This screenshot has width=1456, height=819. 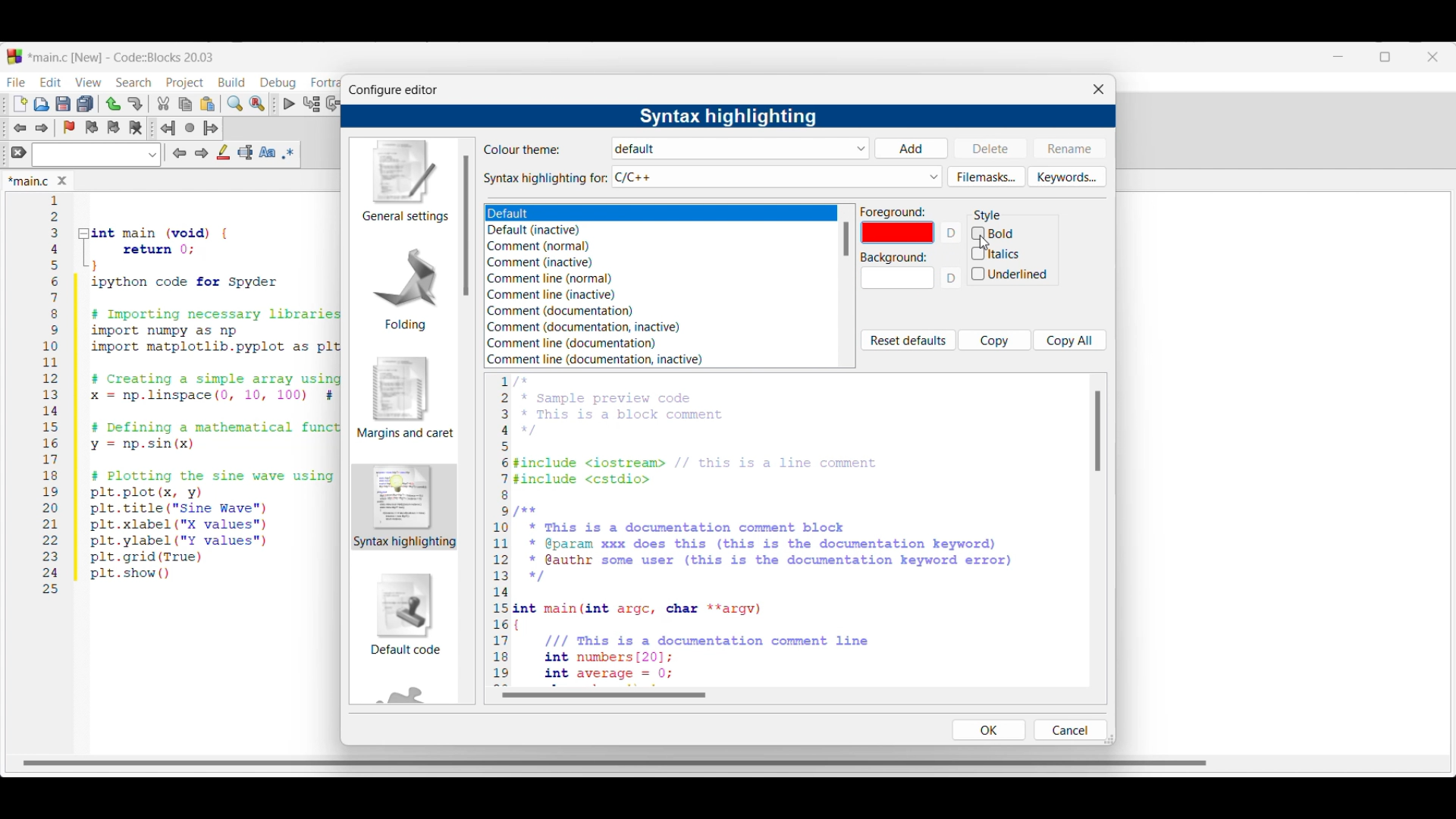 What do you see at coordinates (1385, 57) in the screenshot?
I see `Change tab dimension` at bounding box center [1385, 57].